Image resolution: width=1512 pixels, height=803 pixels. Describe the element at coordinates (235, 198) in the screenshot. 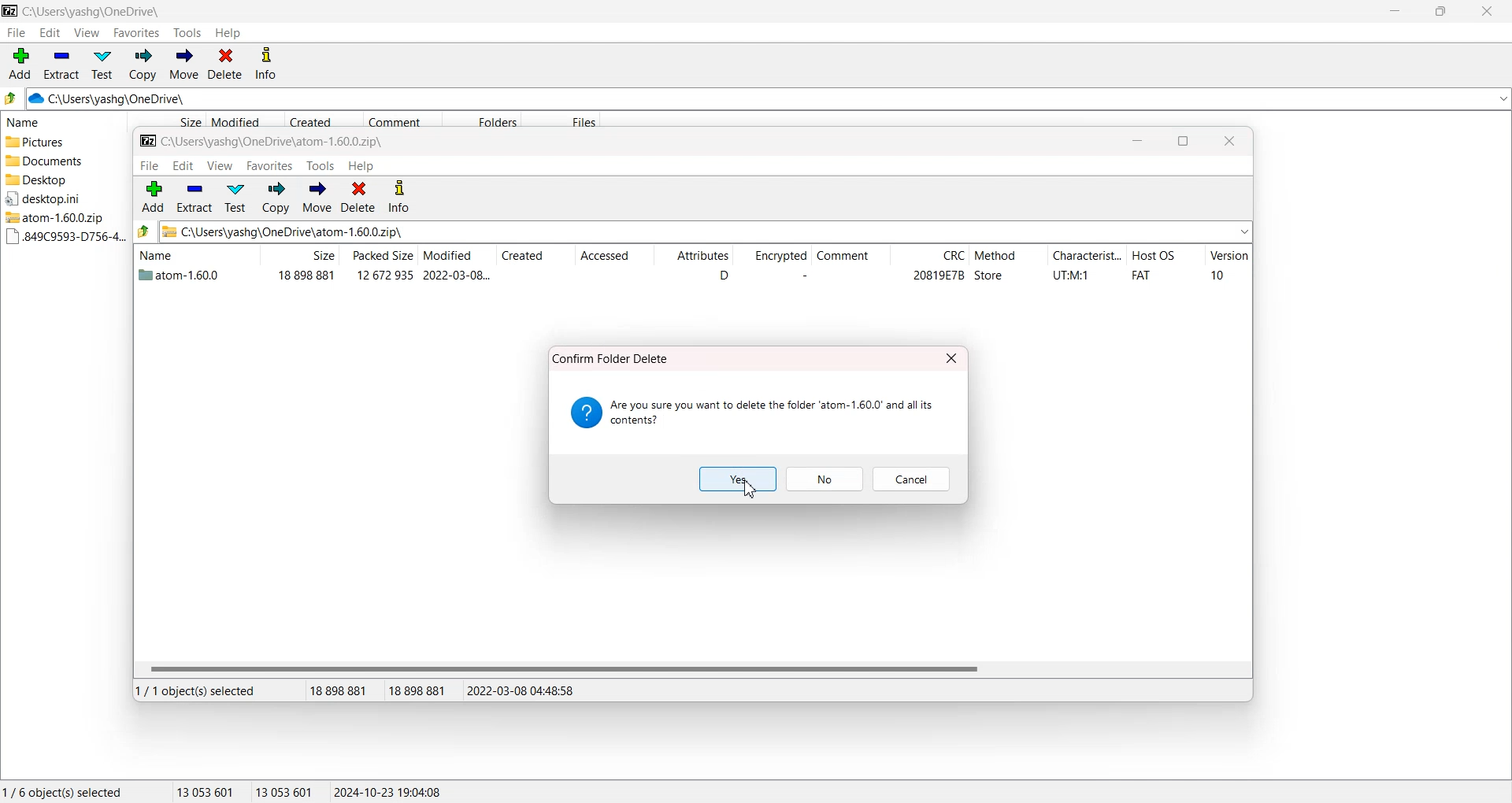

I see `test` at that location.